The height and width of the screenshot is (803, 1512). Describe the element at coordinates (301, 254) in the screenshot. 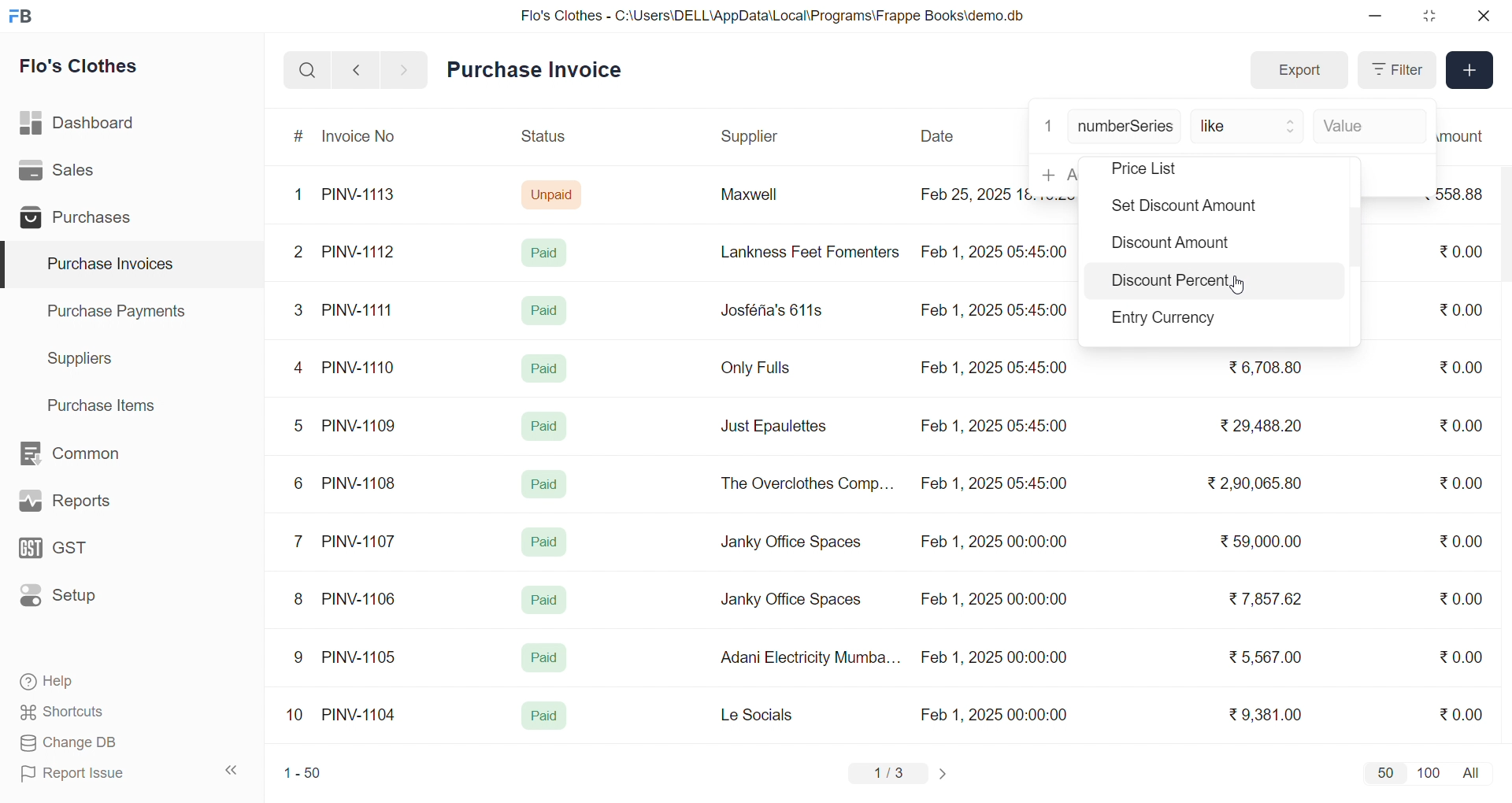

I see `2` at that location.